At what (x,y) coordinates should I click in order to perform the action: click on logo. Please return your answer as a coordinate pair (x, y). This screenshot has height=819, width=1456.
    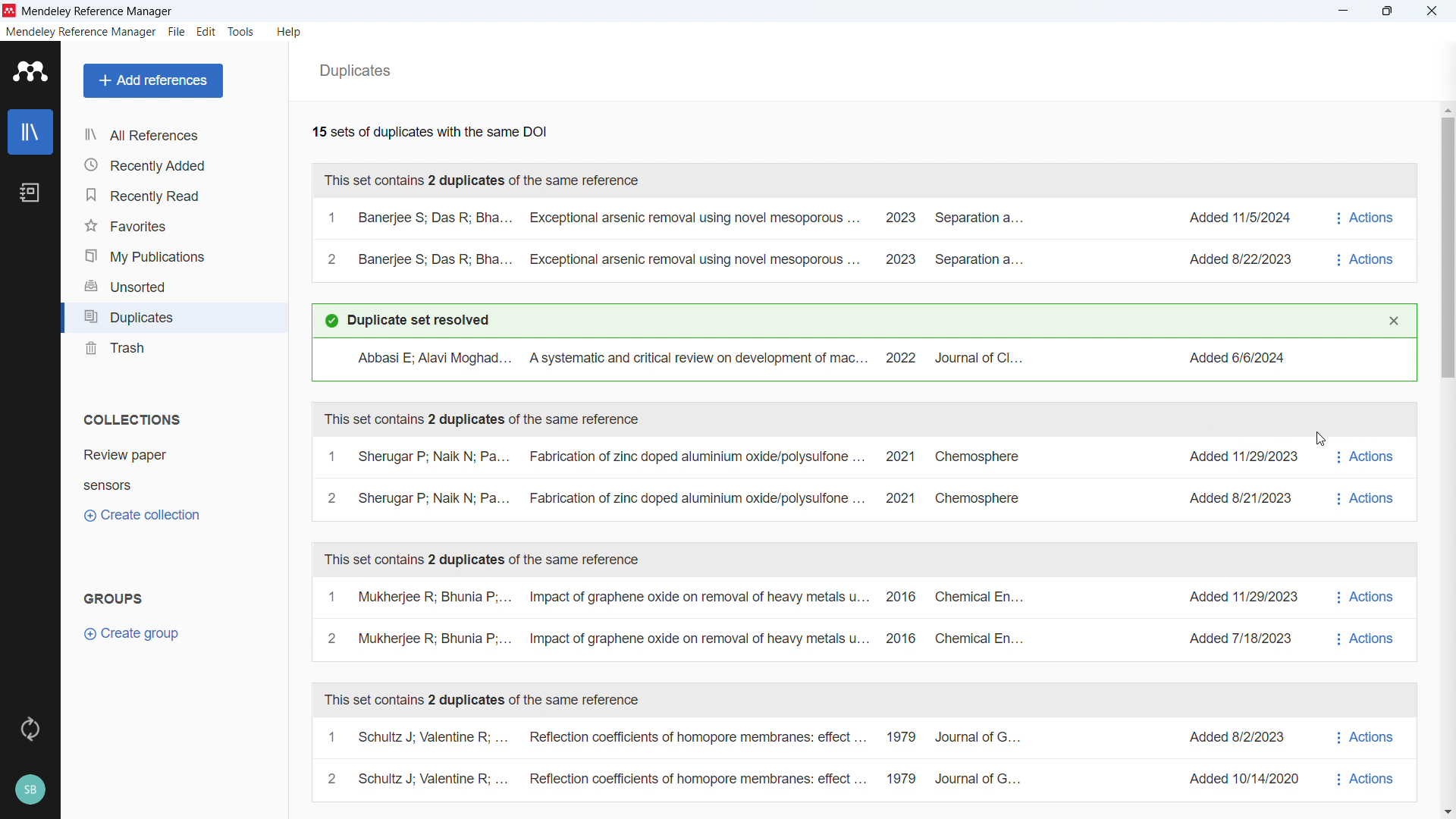
    Looking at the image, I should click on (30, 73).